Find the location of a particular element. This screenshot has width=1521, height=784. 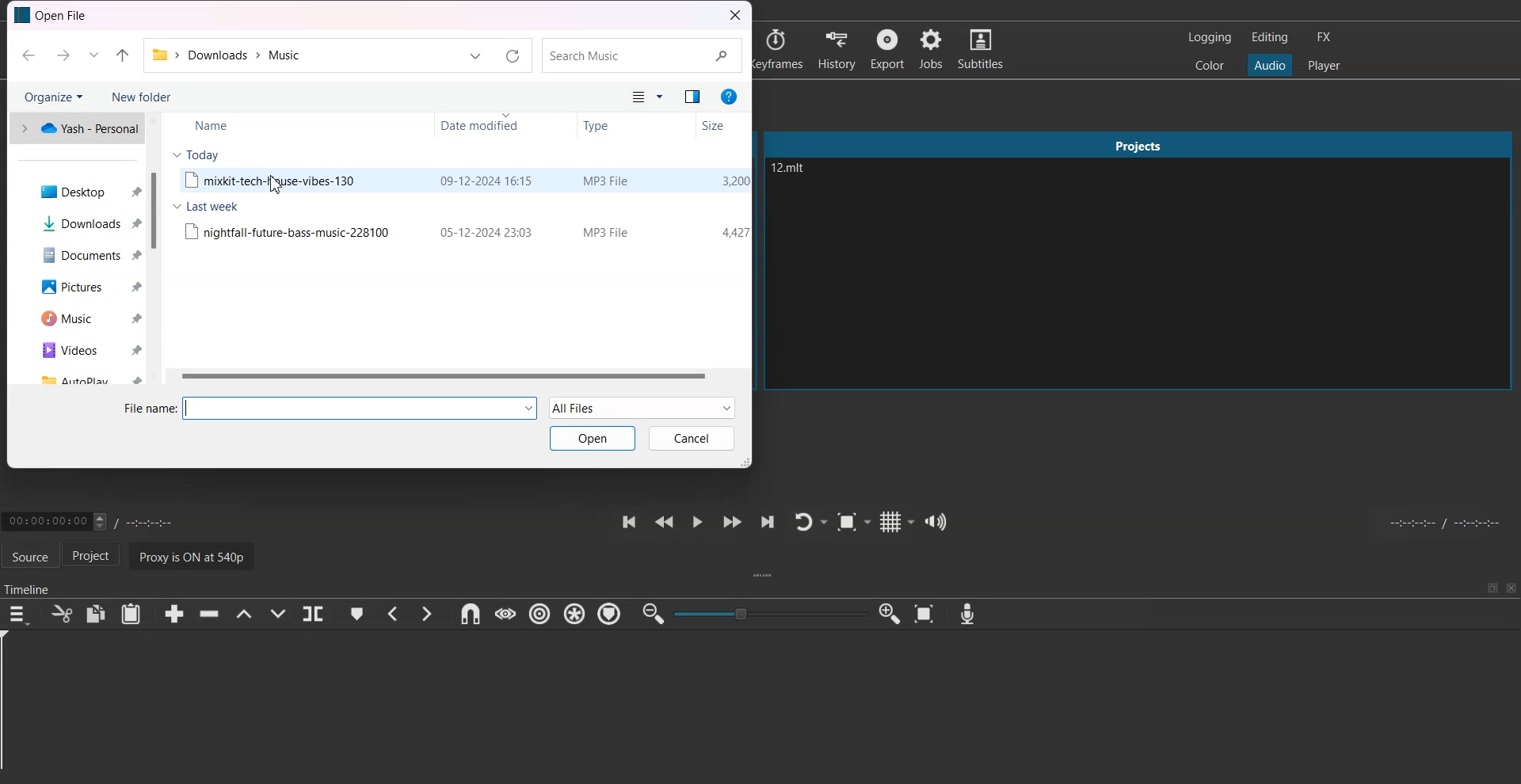

Date modified is located at coordinates (500, 127).